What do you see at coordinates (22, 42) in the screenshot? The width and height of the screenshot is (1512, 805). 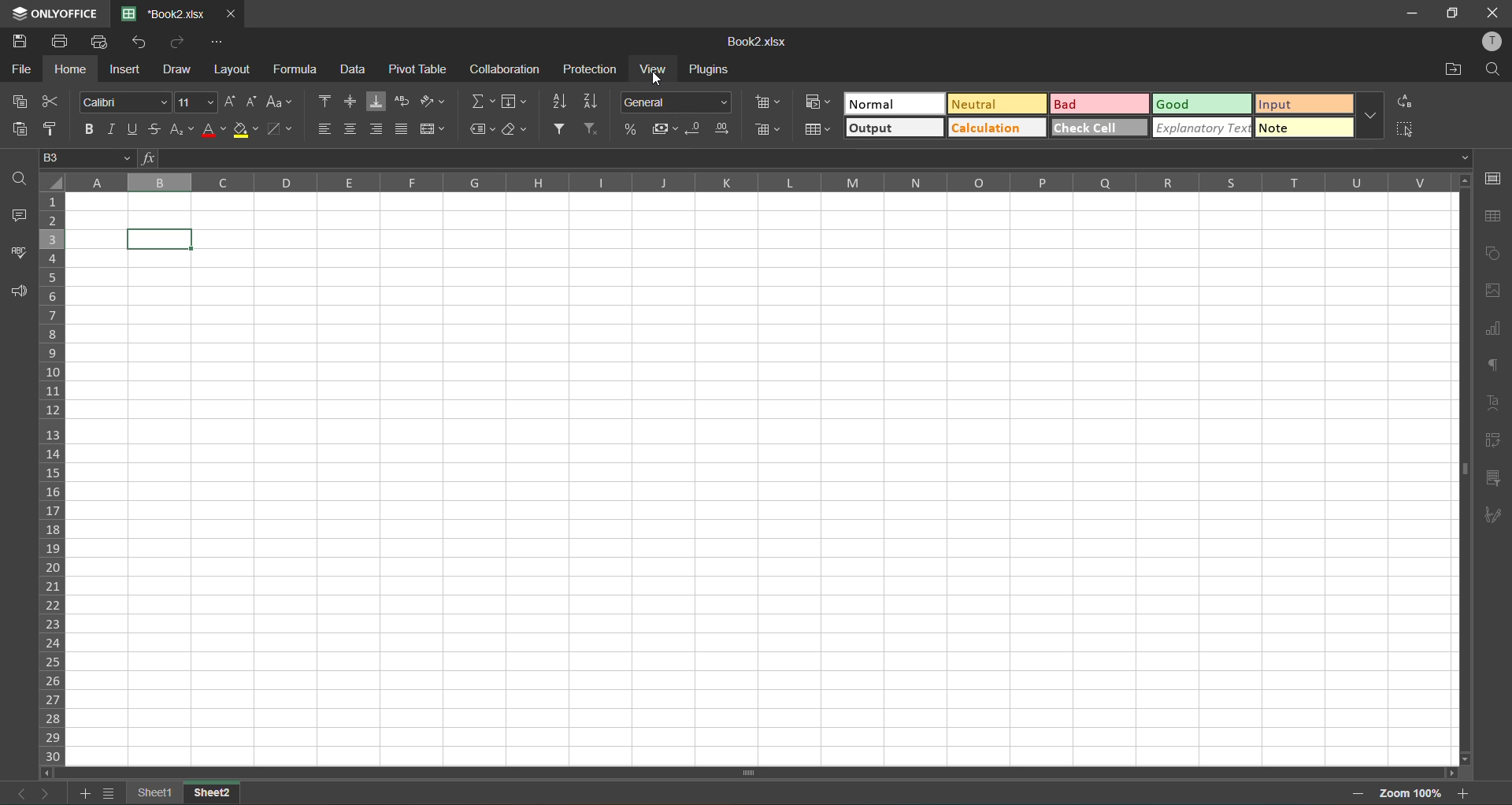 I see `save` at bounding box center [22, 42].